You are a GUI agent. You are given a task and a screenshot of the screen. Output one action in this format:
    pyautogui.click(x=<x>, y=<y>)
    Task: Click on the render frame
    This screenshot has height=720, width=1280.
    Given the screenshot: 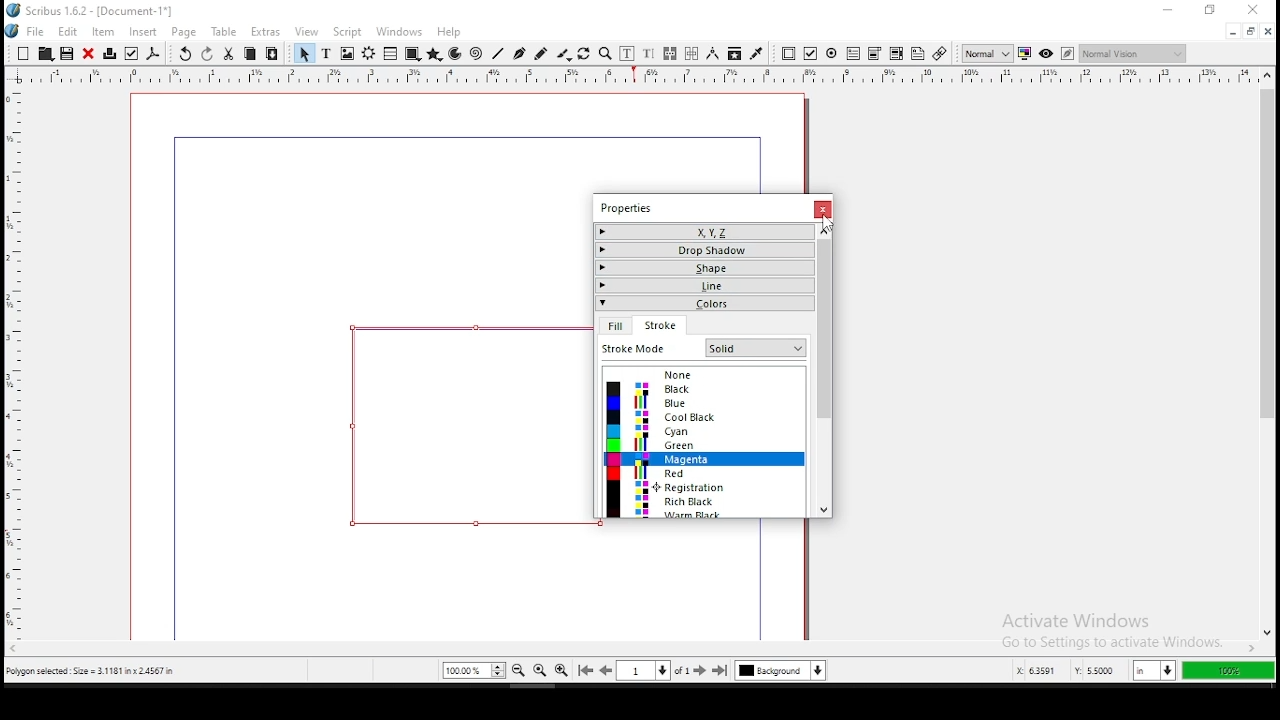 What is the action you would take?
    pyautogui.click(x=368, y=54)
    